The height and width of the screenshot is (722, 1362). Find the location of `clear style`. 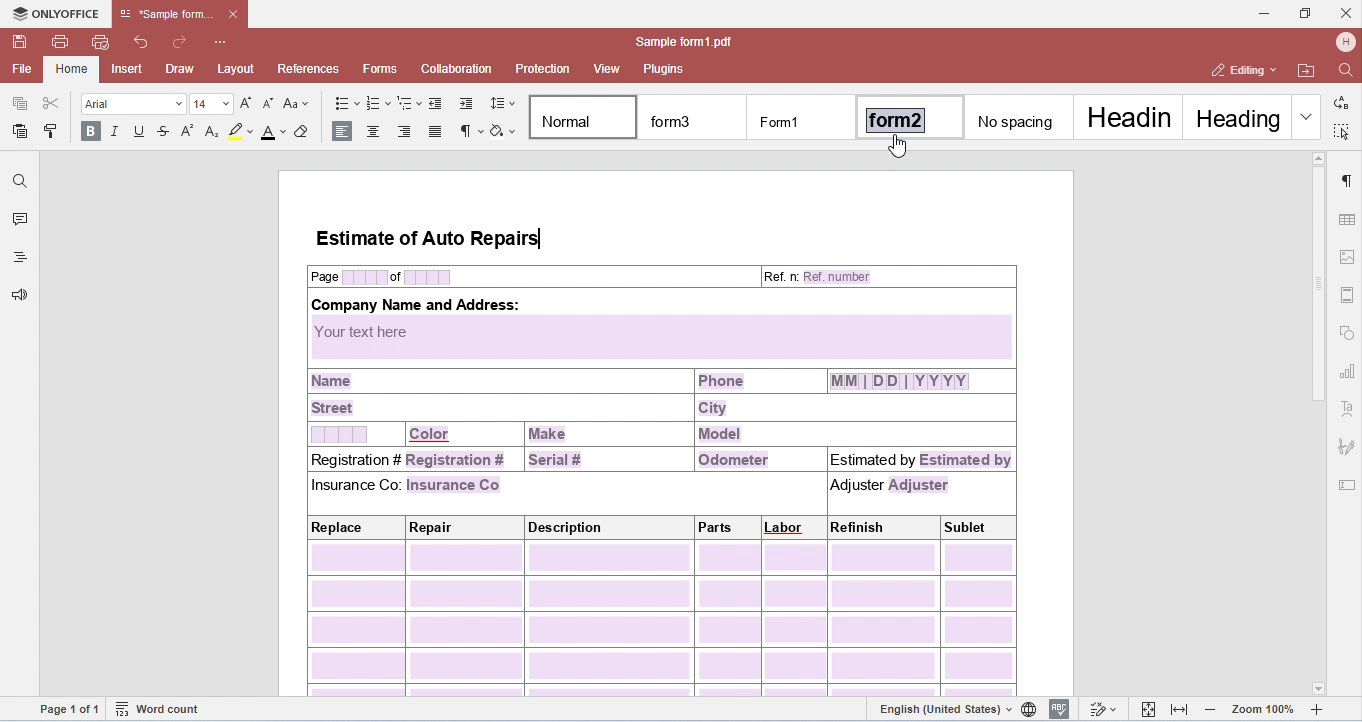

clear style is located at coordinates (308, 132).